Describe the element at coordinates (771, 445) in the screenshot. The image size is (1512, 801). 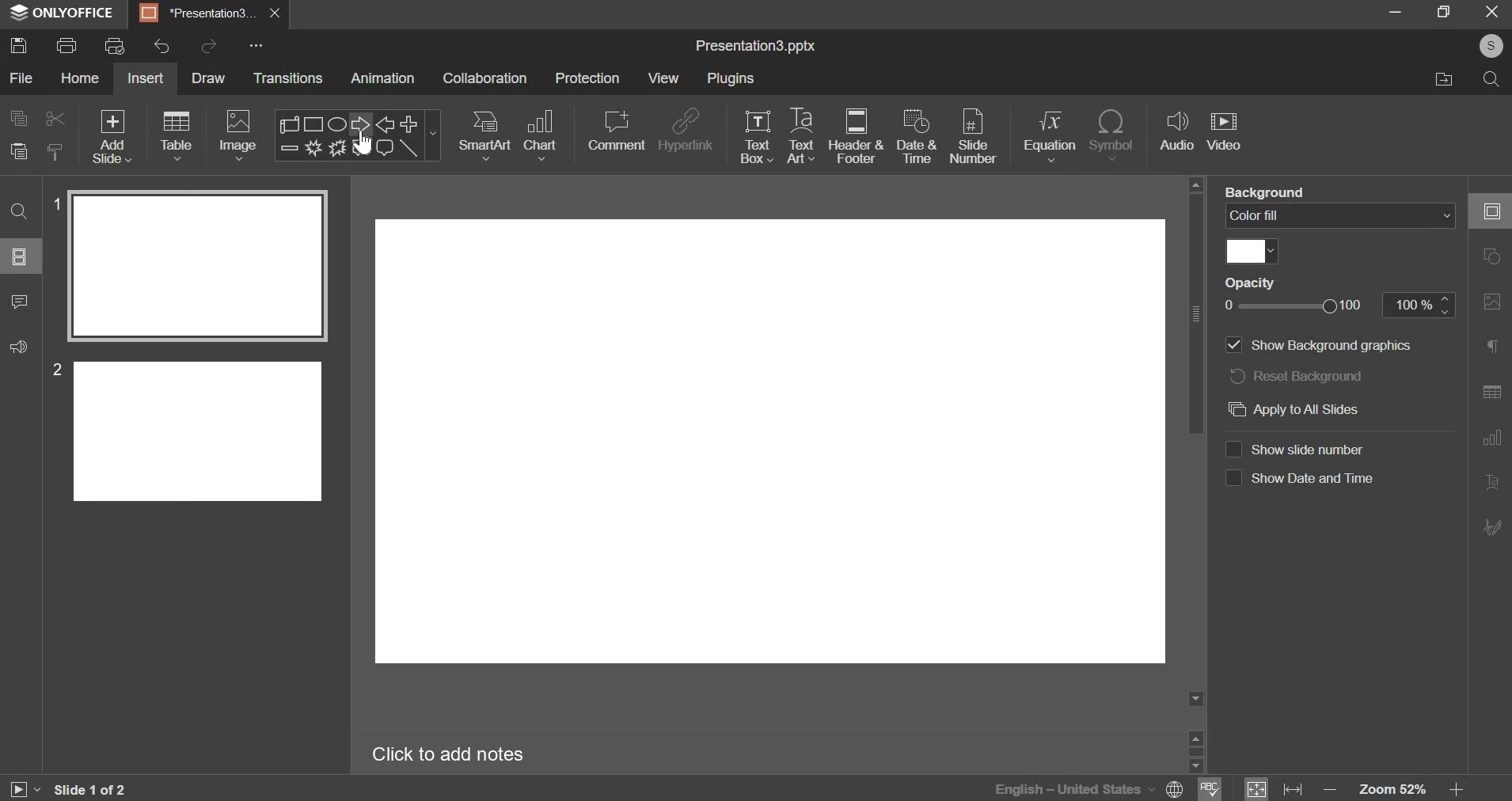
I see `editor` at that location.